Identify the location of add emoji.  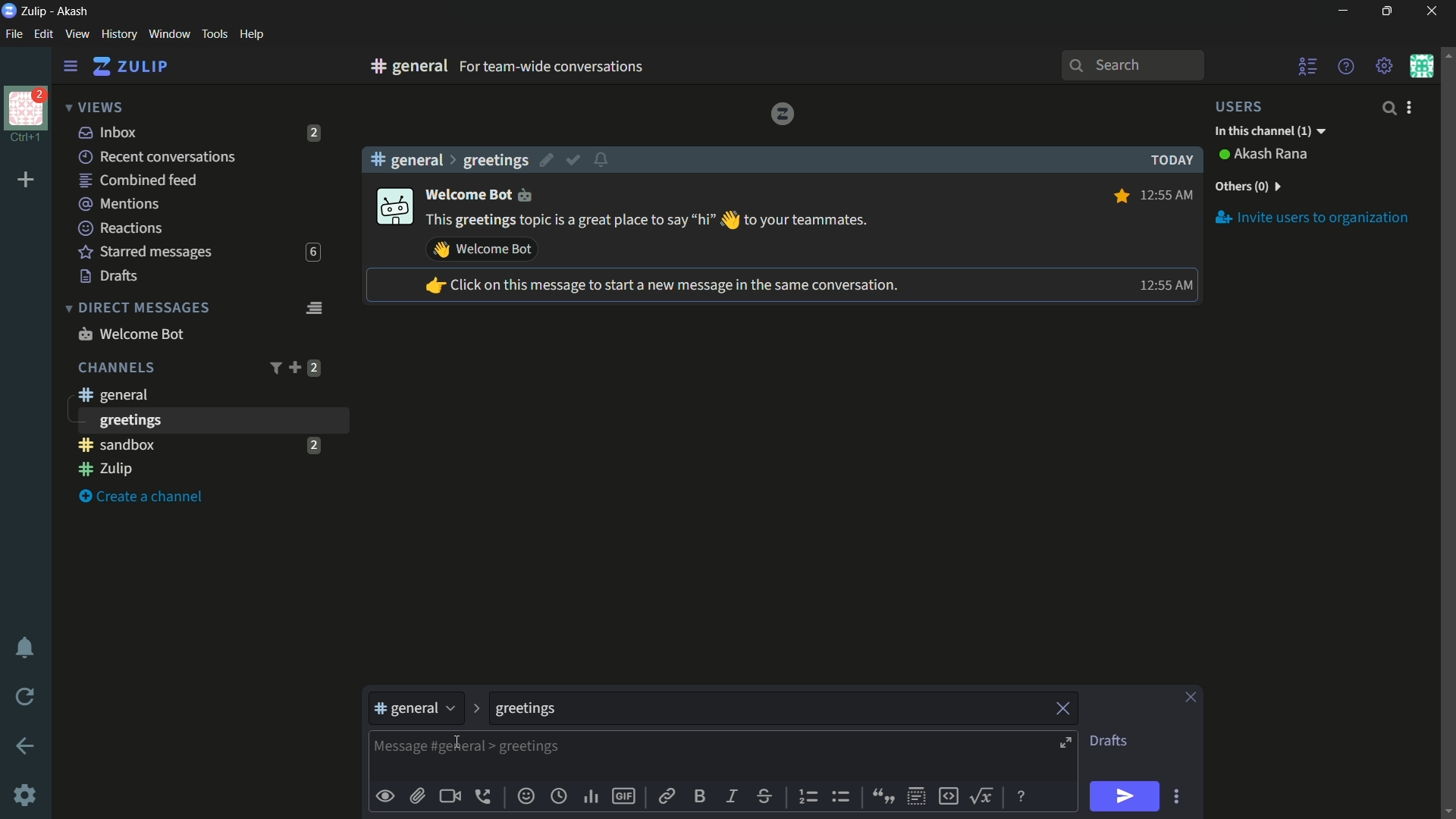
(526, 796).